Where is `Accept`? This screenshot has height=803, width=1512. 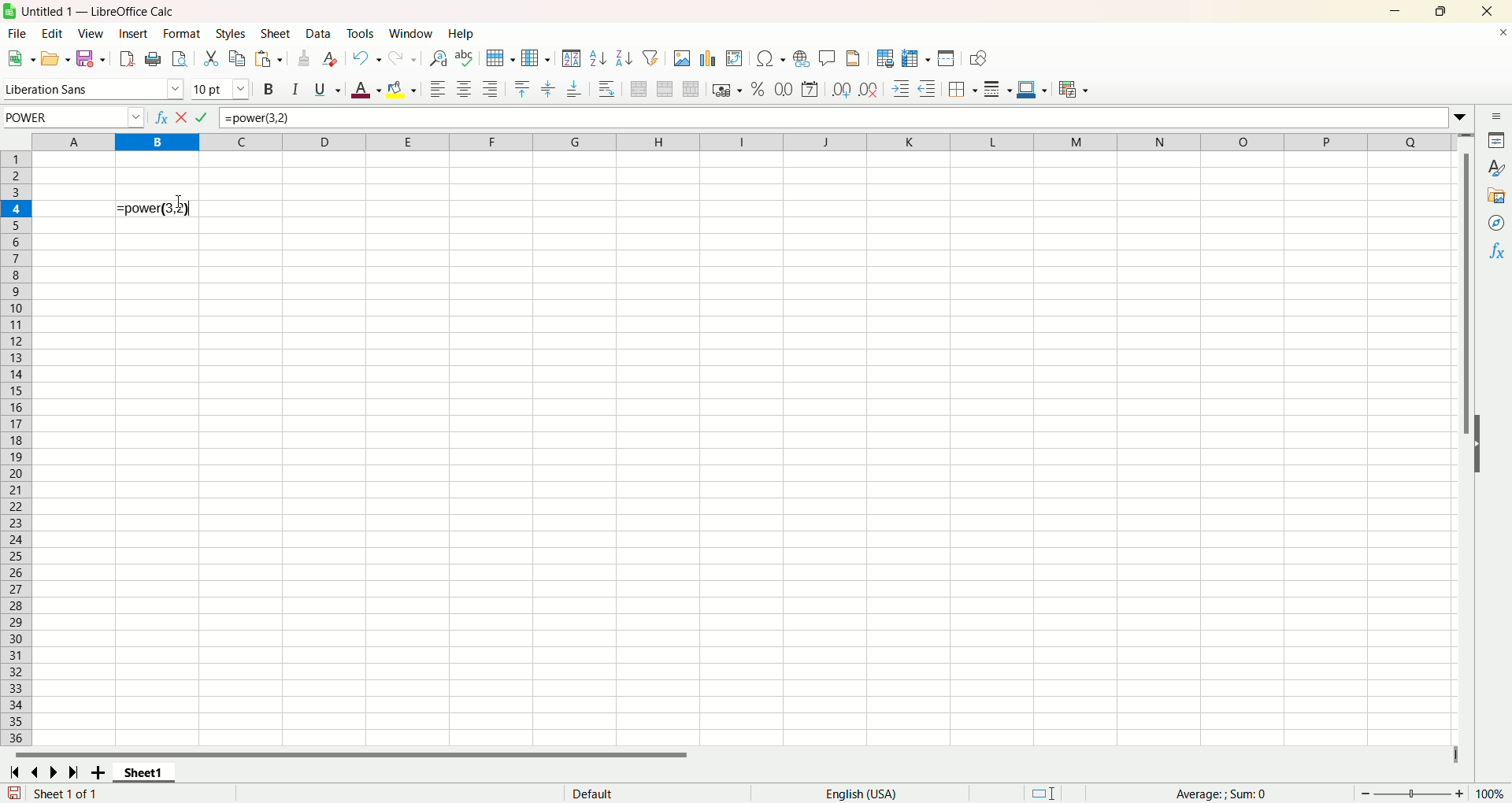
Accept is located at coordinates (203, 117).